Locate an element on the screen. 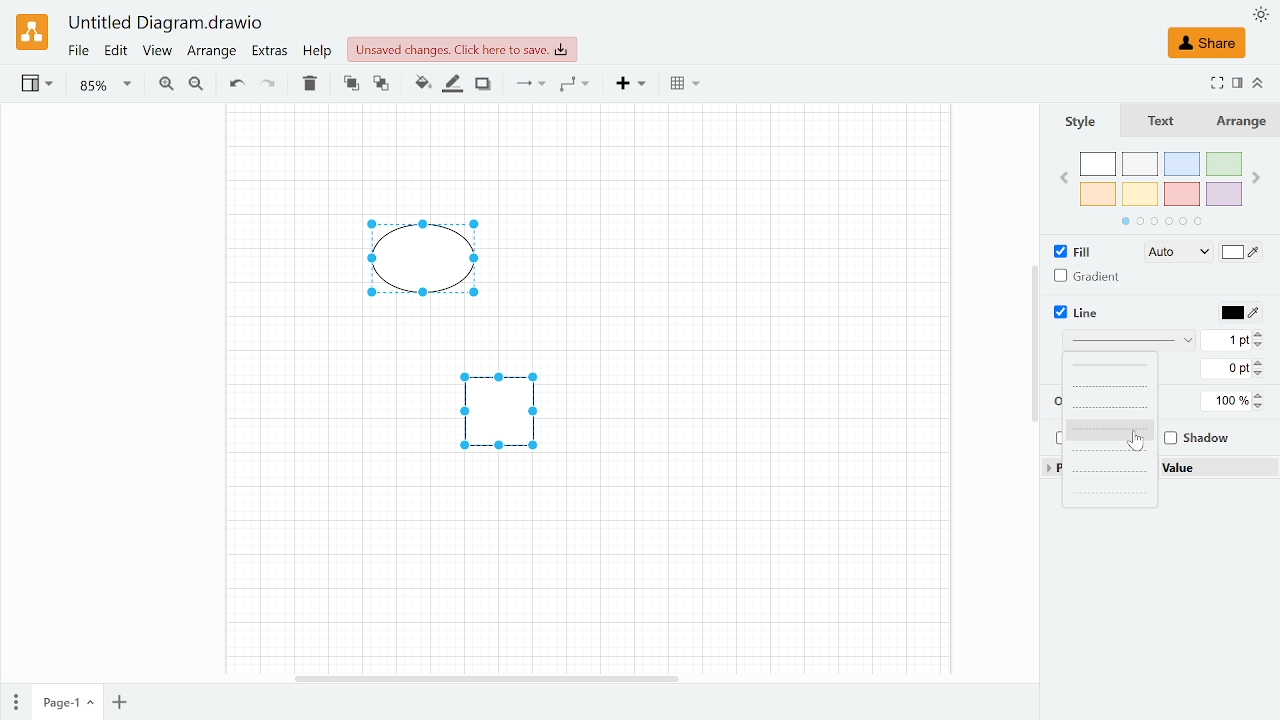  Decrease perimeter is located at coordinates (1262, 374).